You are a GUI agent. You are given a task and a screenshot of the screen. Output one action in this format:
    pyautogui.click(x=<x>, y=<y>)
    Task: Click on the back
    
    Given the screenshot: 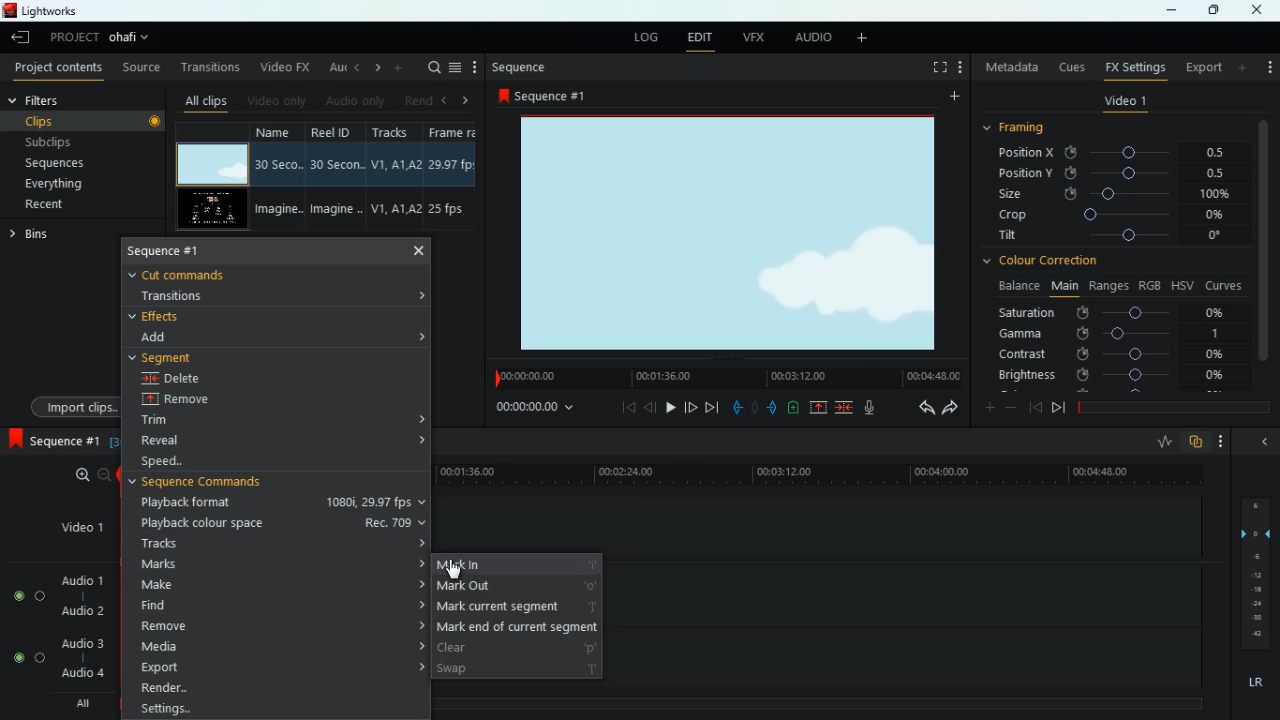 What is the action you would take?
    pyautogui.click(x=919, y=408)
    